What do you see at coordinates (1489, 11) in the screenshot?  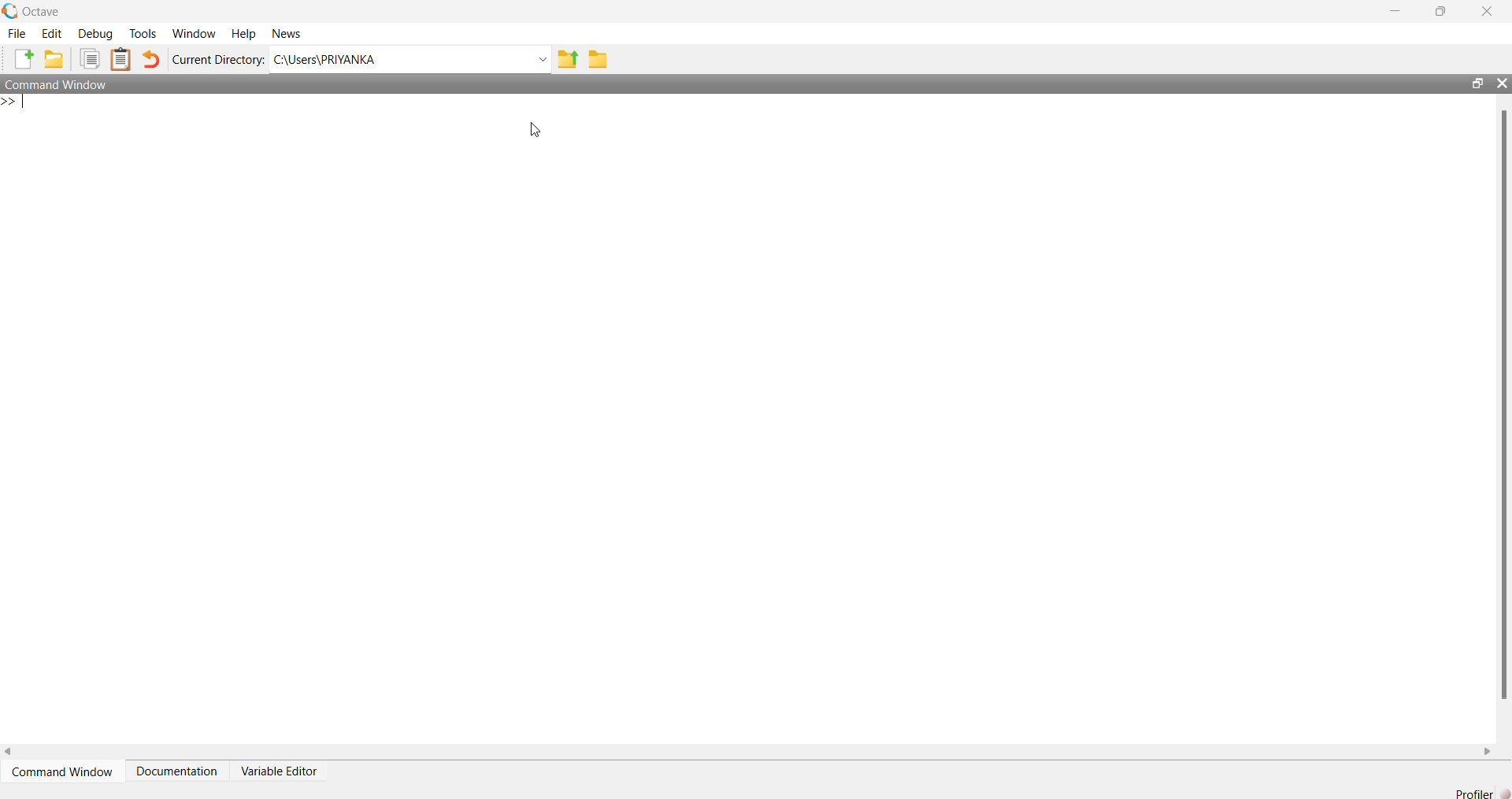 I see `close` at bounding box center [1489, 11].